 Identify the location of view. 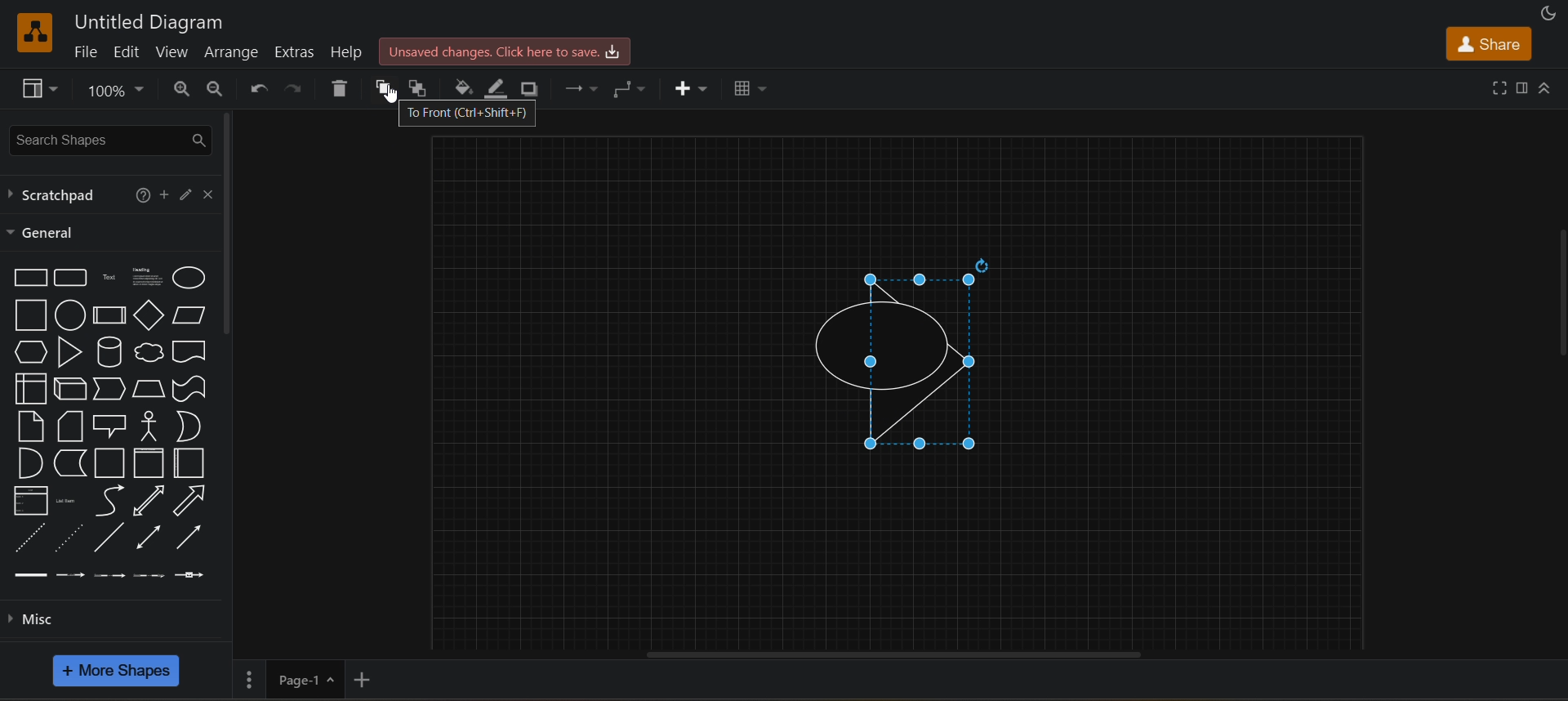
(171, 52).